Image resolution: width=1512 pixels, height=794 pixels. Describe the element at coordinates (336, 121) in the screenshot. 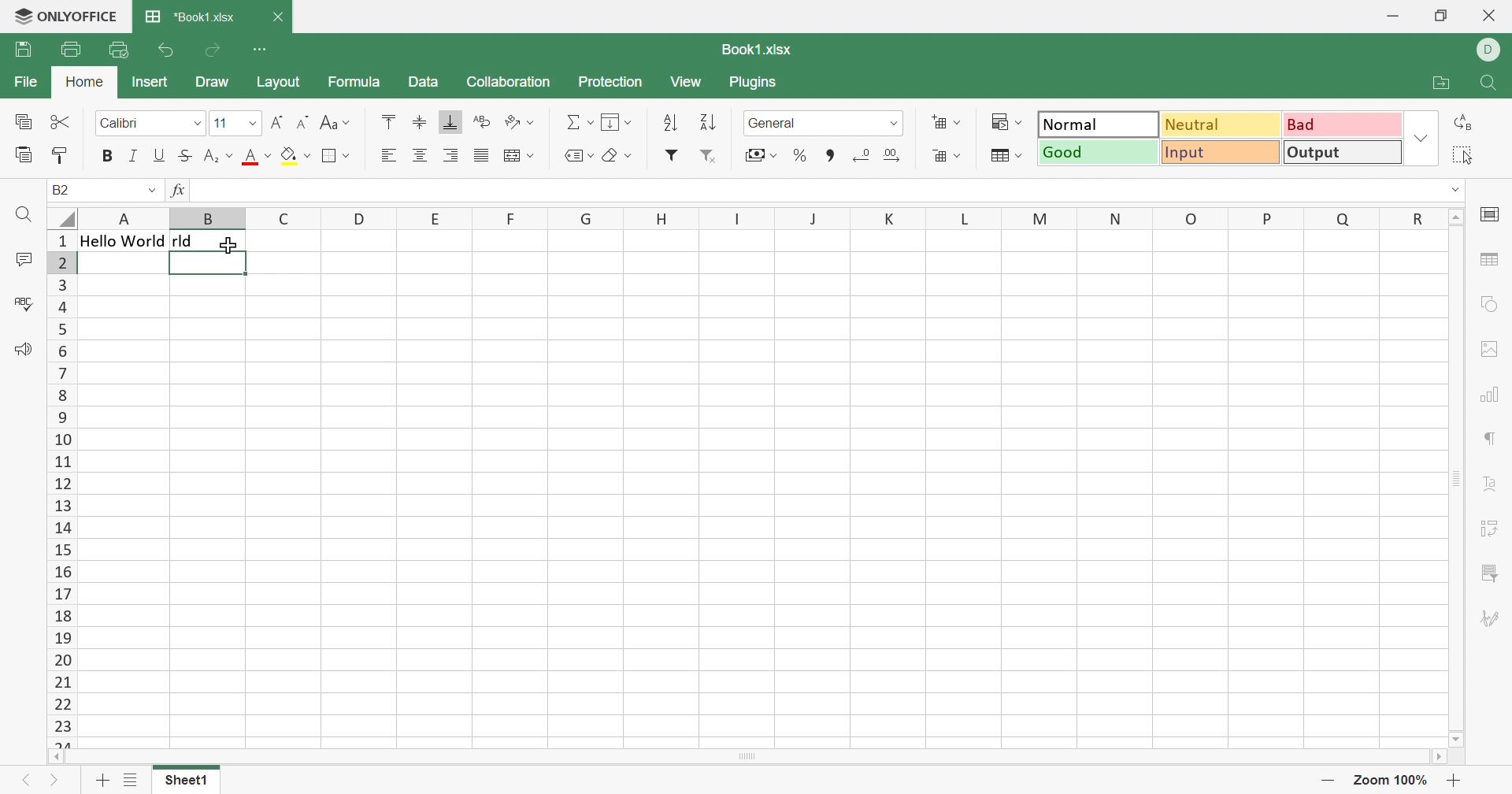

I see `Change case` at that location.